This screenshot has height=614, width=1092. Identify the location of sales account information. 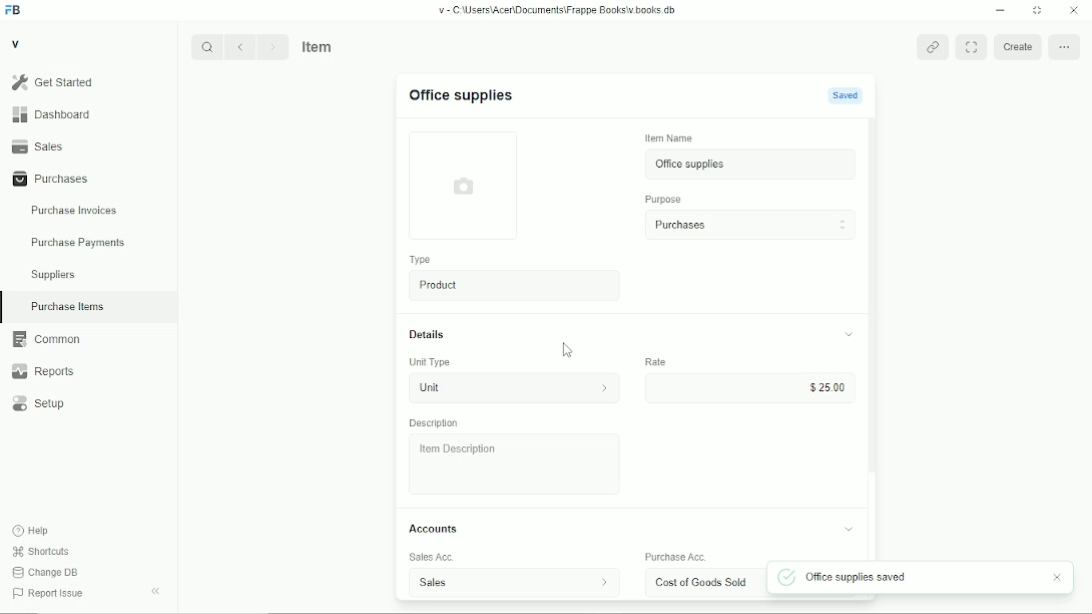
(604, 582).